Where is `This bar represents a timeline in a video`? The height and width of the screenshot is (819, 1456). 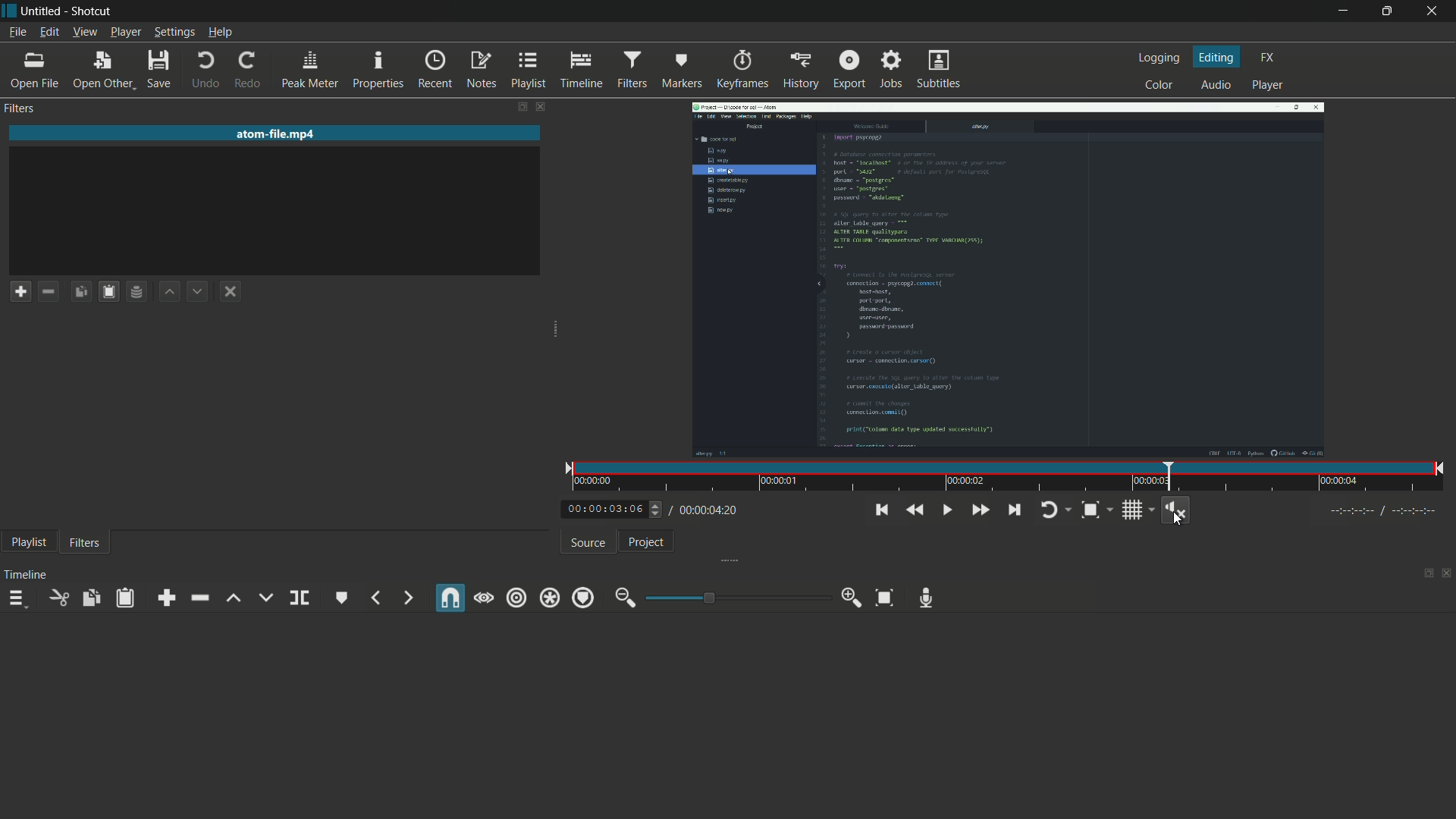 This bar represents a timeline in a video is located at coordinates (1004, 478).